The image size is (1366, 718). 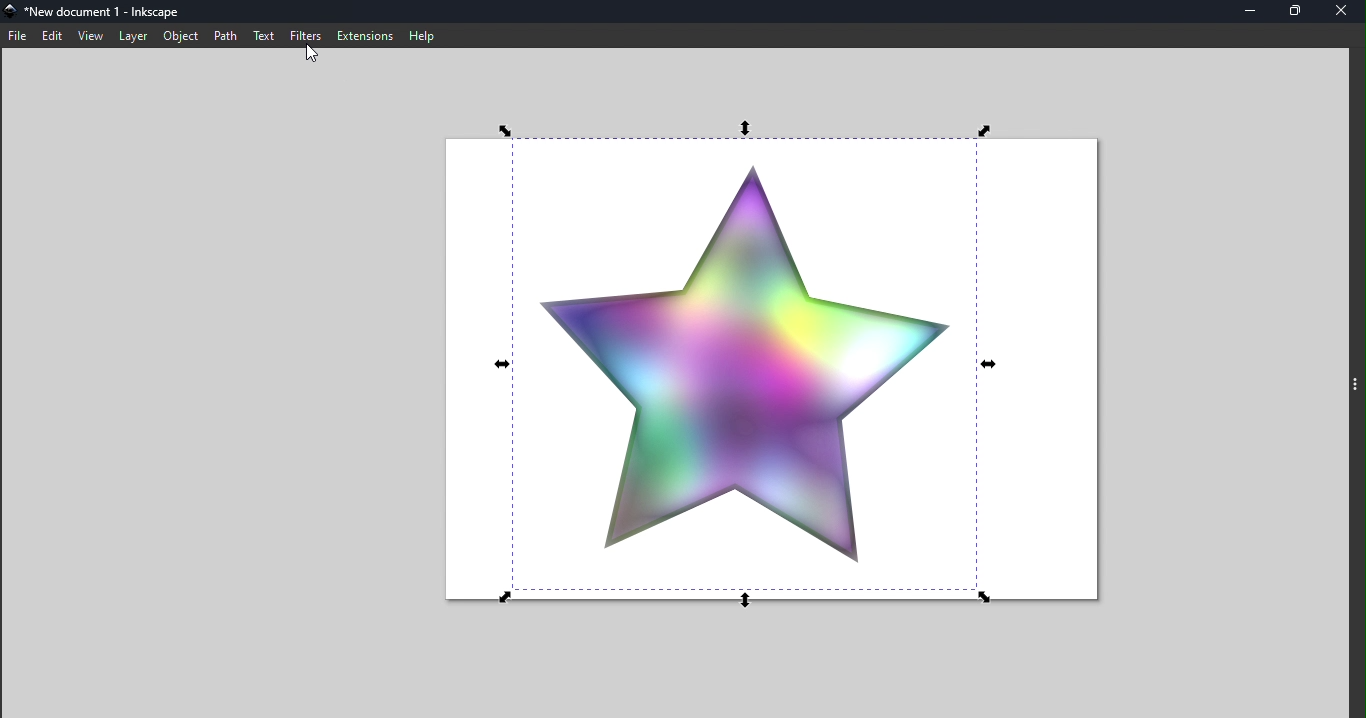 I want to click on Cursor, so click(x=314, y=59).